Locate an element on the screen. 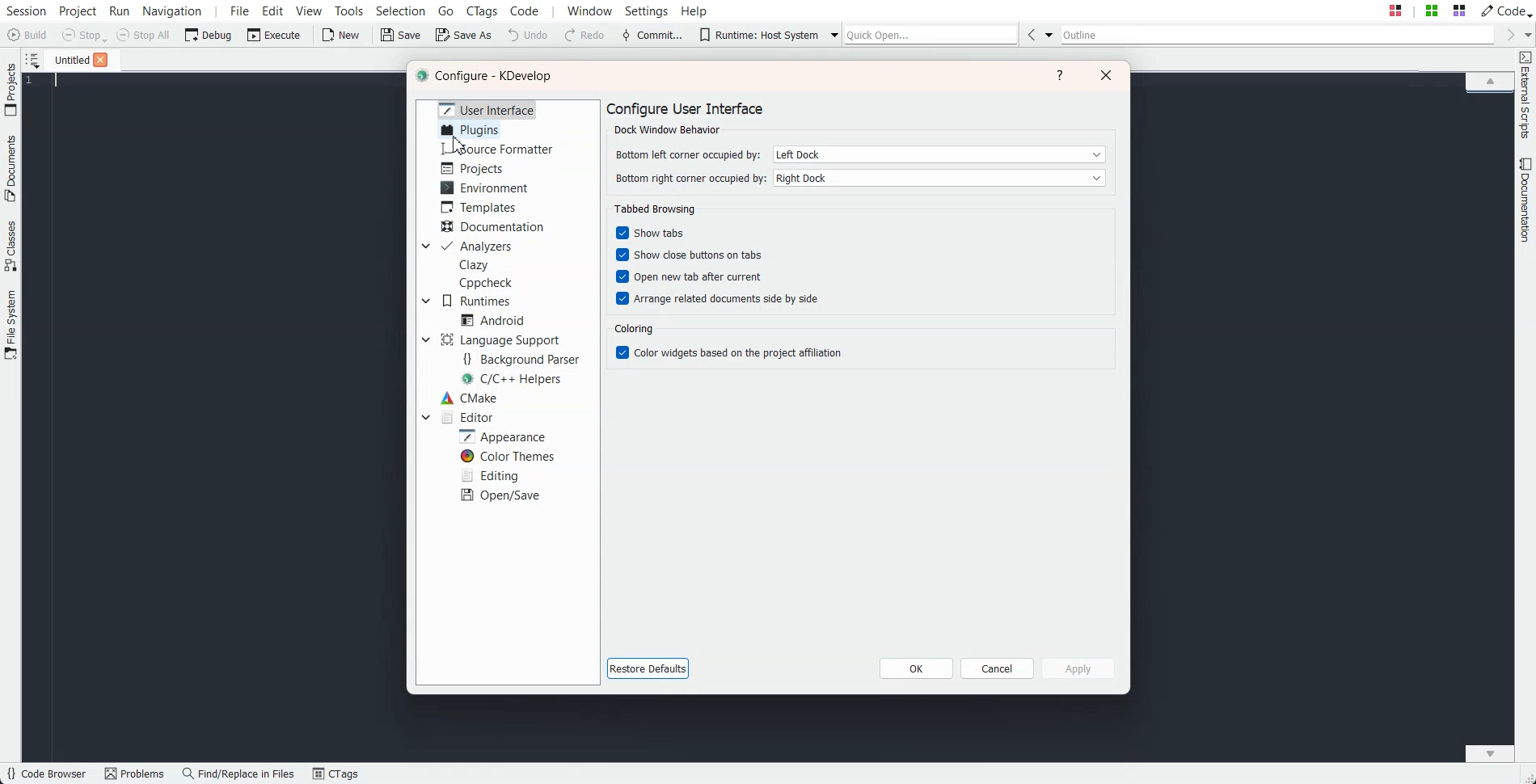 The image size is (1536, 784). Restore Defaults is located at coordinates (652, 669).